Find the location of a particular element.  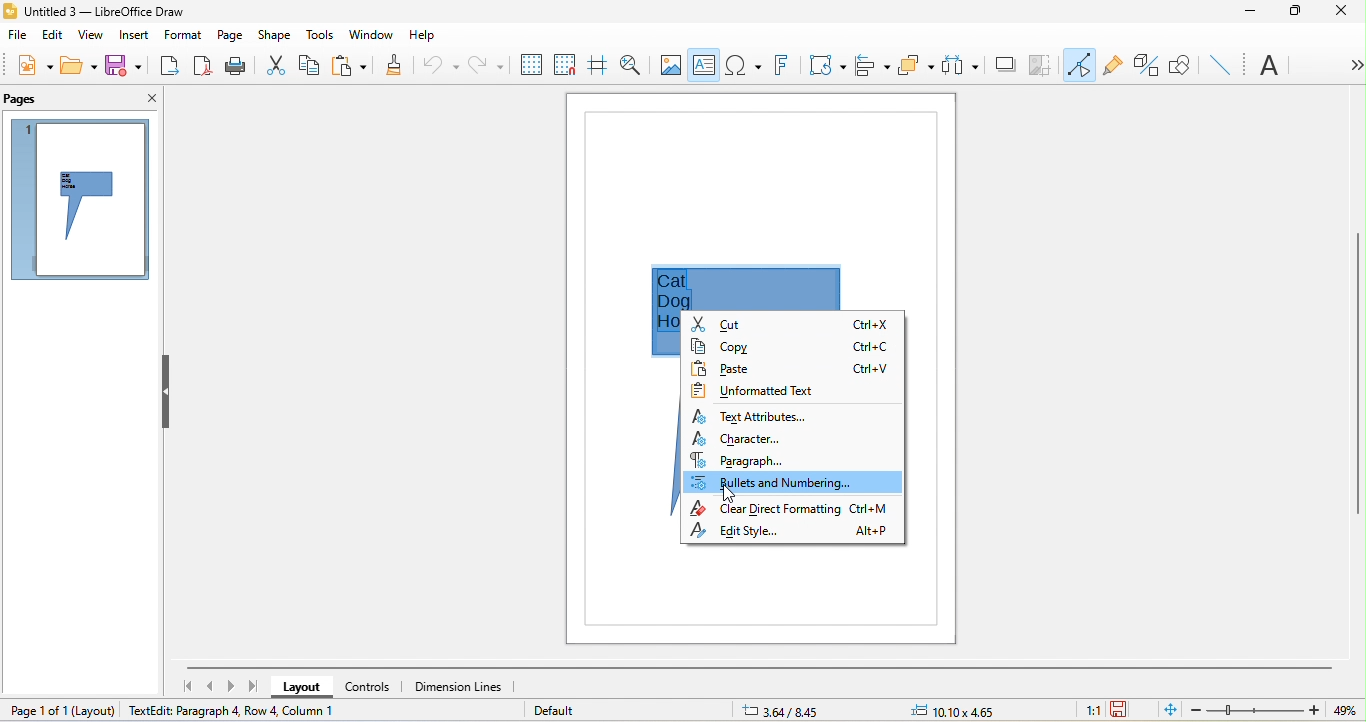

view is located at coordinates (89, 37).